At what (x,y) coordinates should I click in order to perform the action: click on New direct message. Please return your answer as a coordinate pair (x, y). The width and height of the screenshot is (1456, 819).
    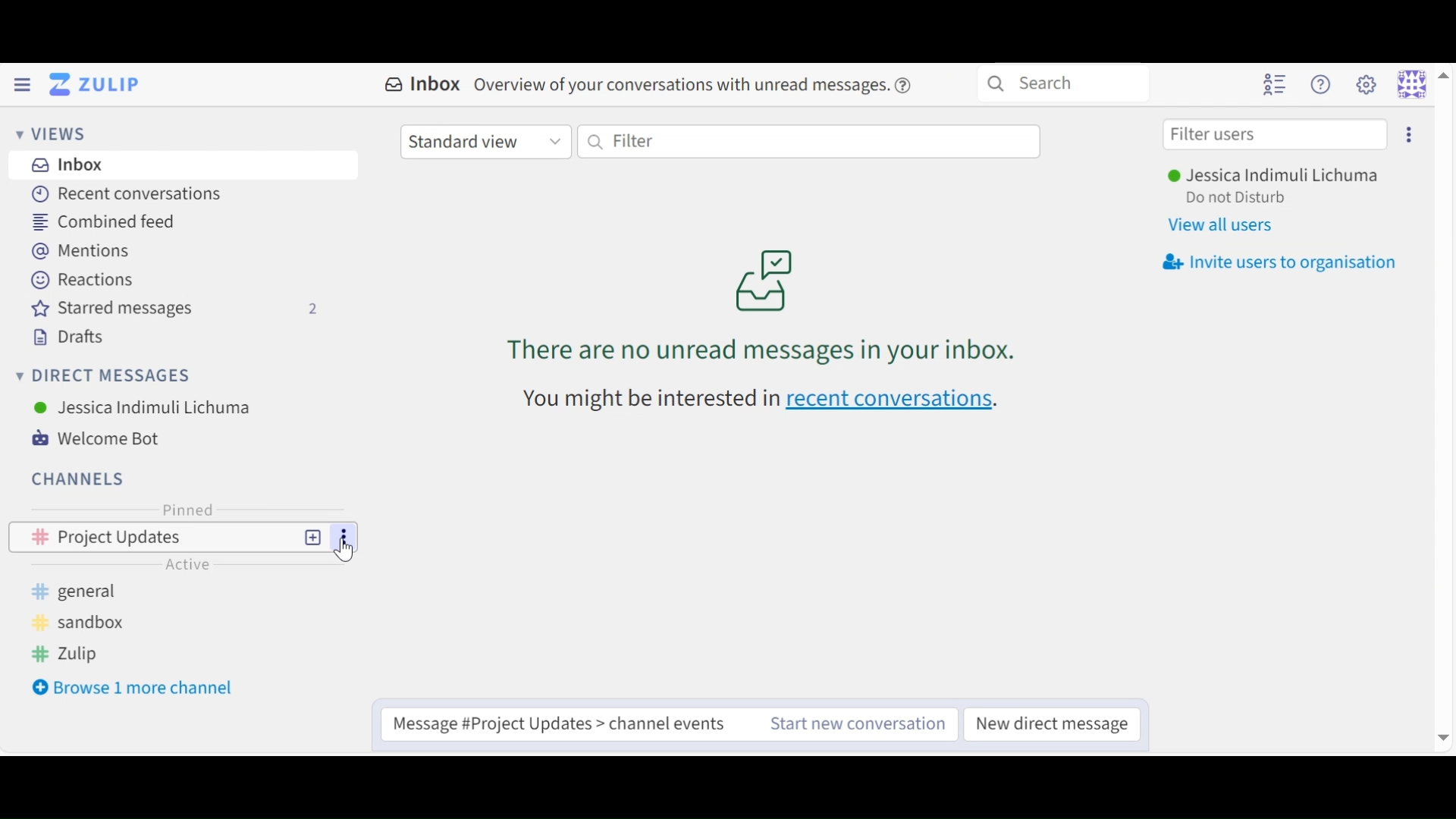
    Looking at the image, I should click on (1054, 725).